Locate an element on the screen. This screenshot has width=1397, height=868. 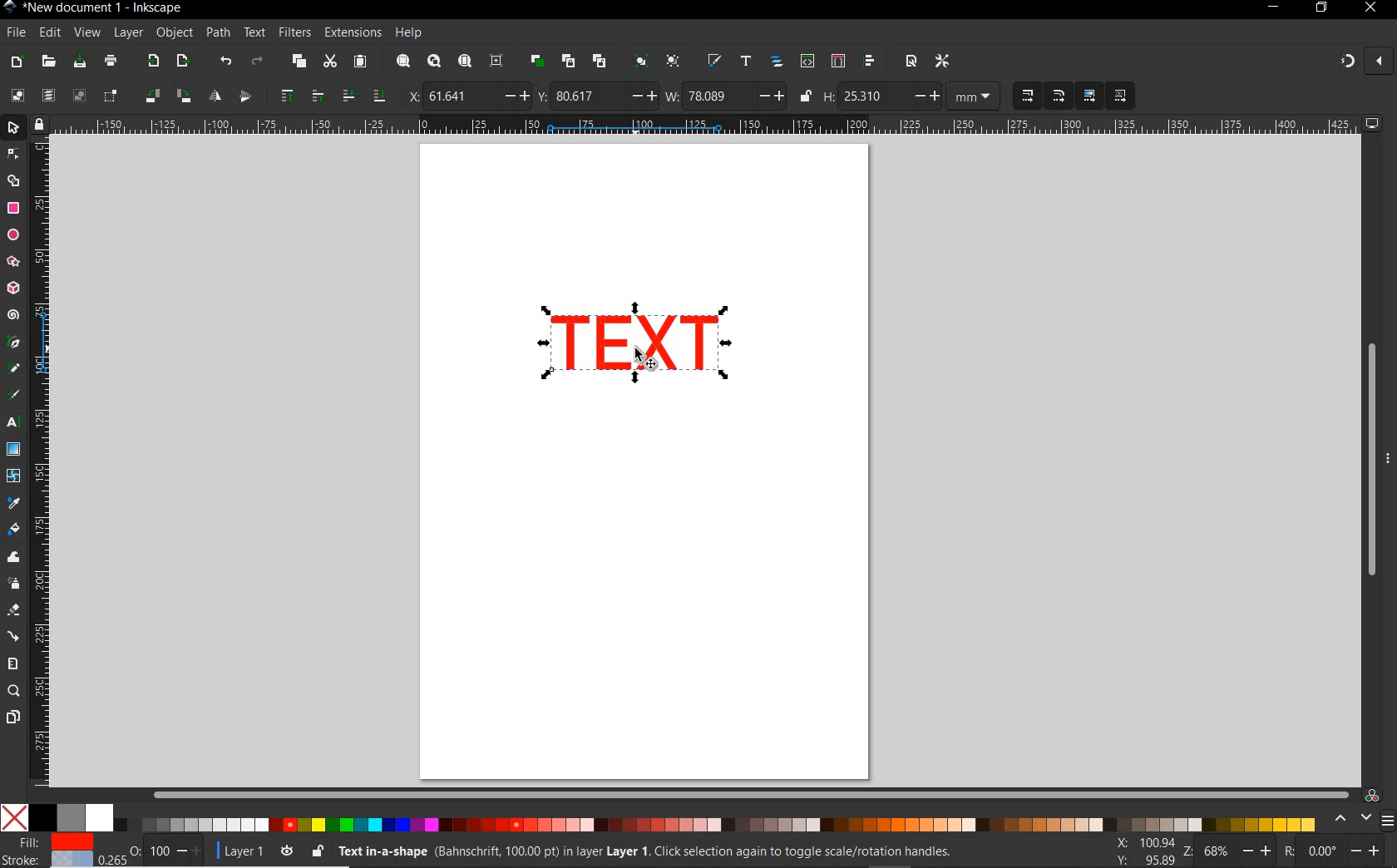
group is located at coordinates (639, 62).